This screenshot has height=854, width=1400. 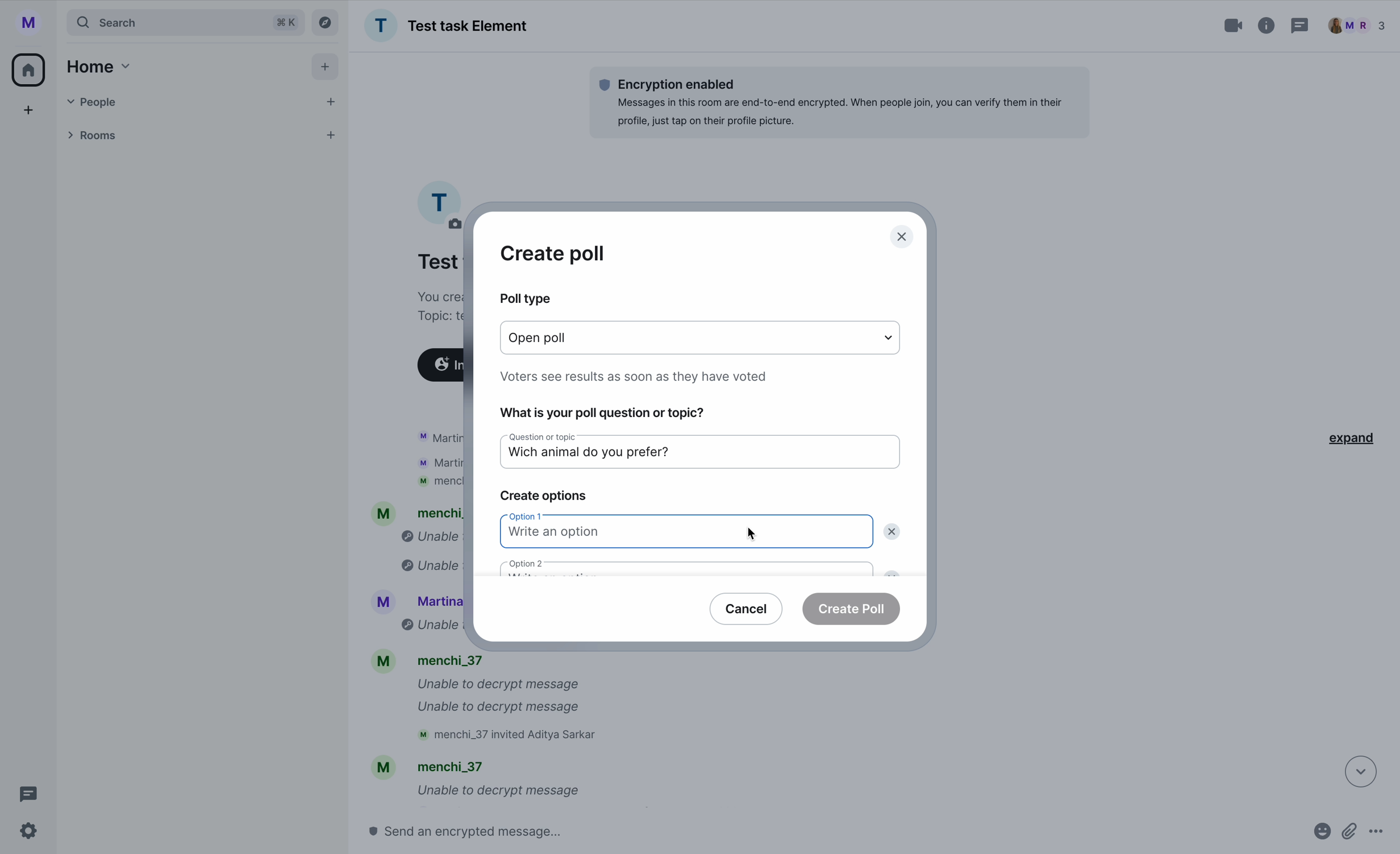 What do you see at coordinates (1351, 836) in the screenshot?
I see `attach files` at bounding box center [1351, 836].